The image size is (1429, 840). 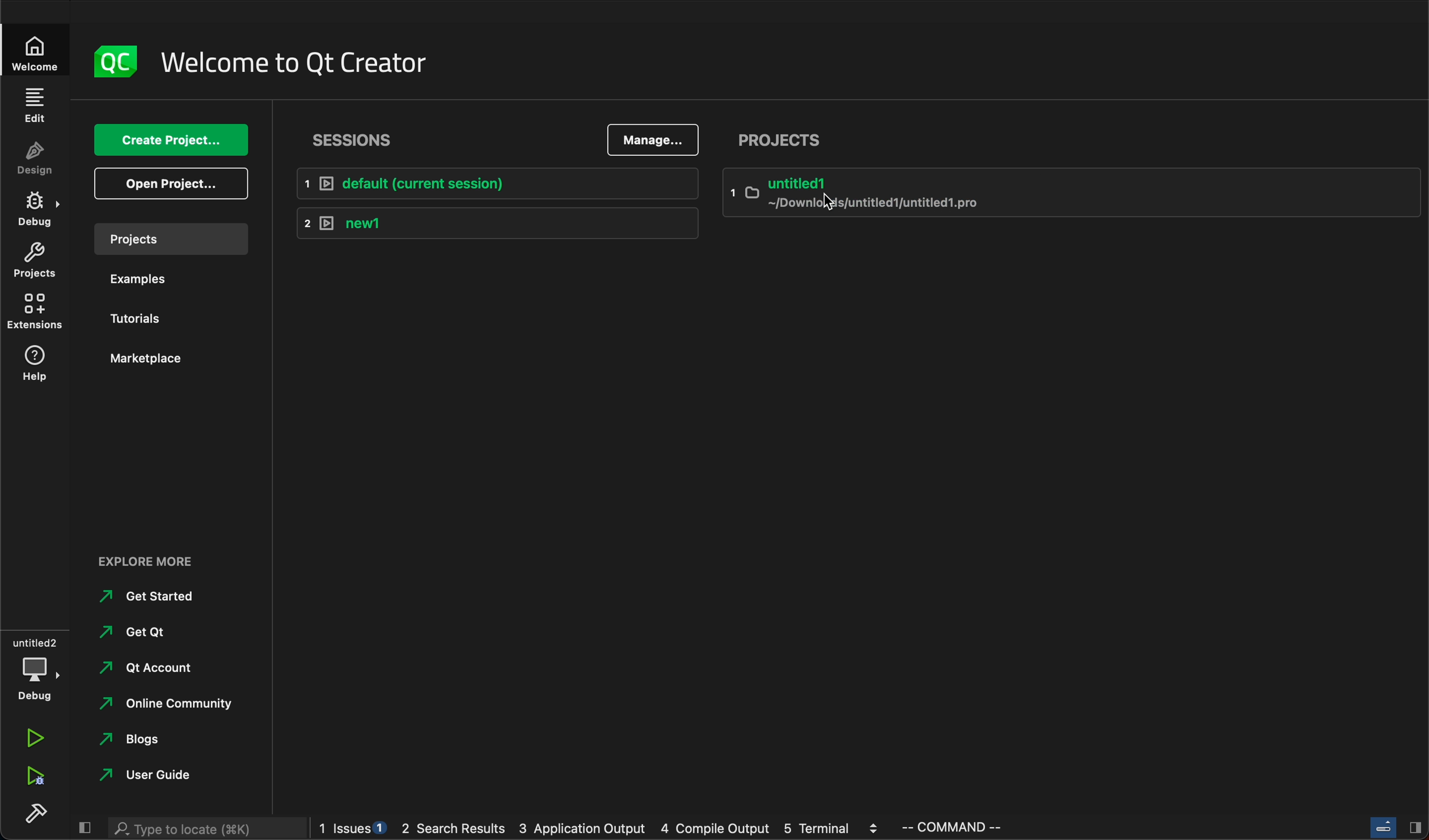 I want to click on untitled2, so click(x=1076, y=188).